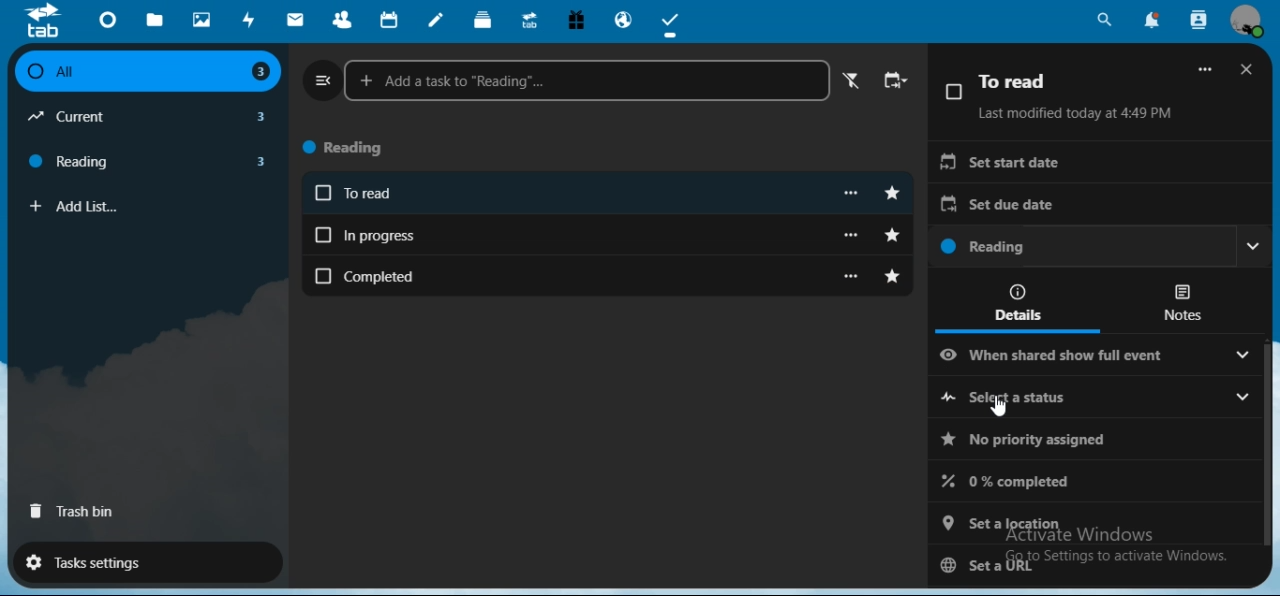 The image size is (1280, 596). Describe the element at coordinates (1254, 246) in the screenshot. I see `Drop down` at that location.